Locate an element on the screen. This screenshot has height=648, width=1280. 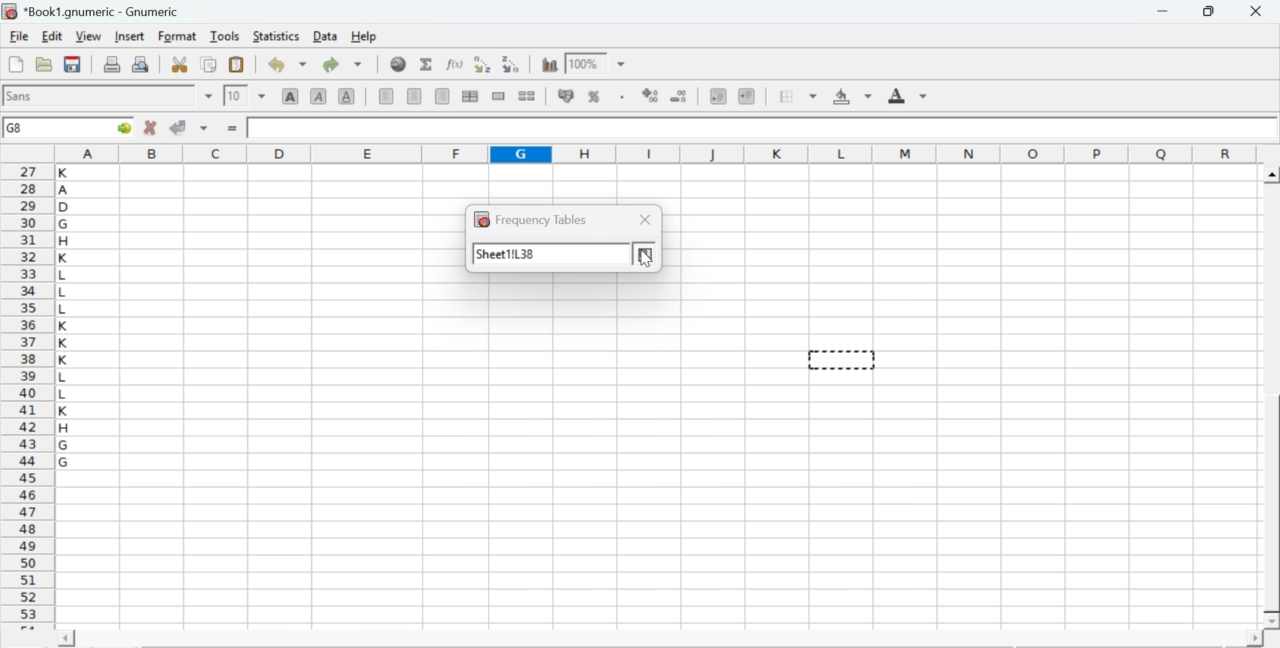
edit is located at coordinates (52, 36).